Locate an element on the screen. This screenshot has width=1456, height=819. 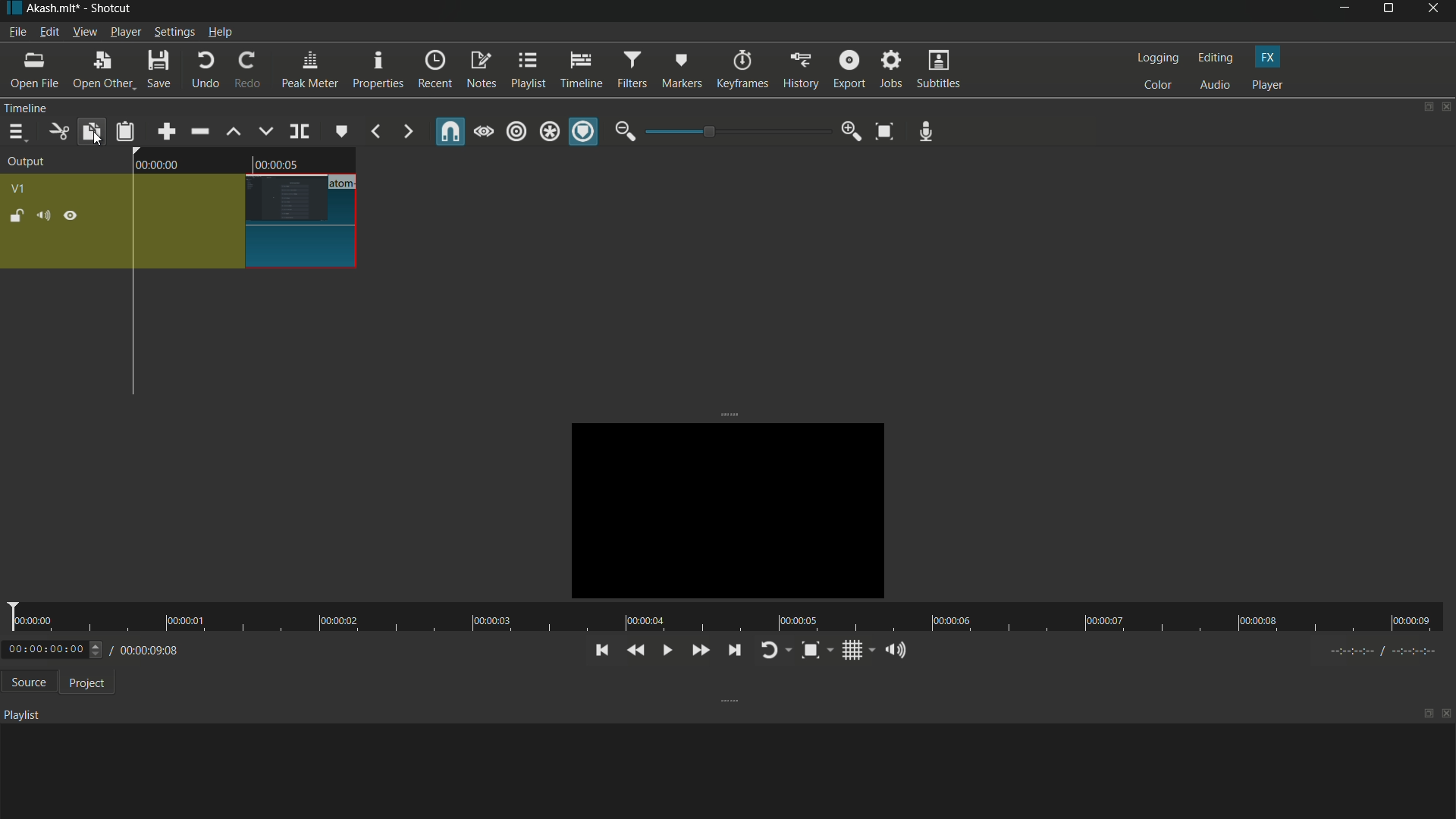
fx is located at coordinates (1269, 58).